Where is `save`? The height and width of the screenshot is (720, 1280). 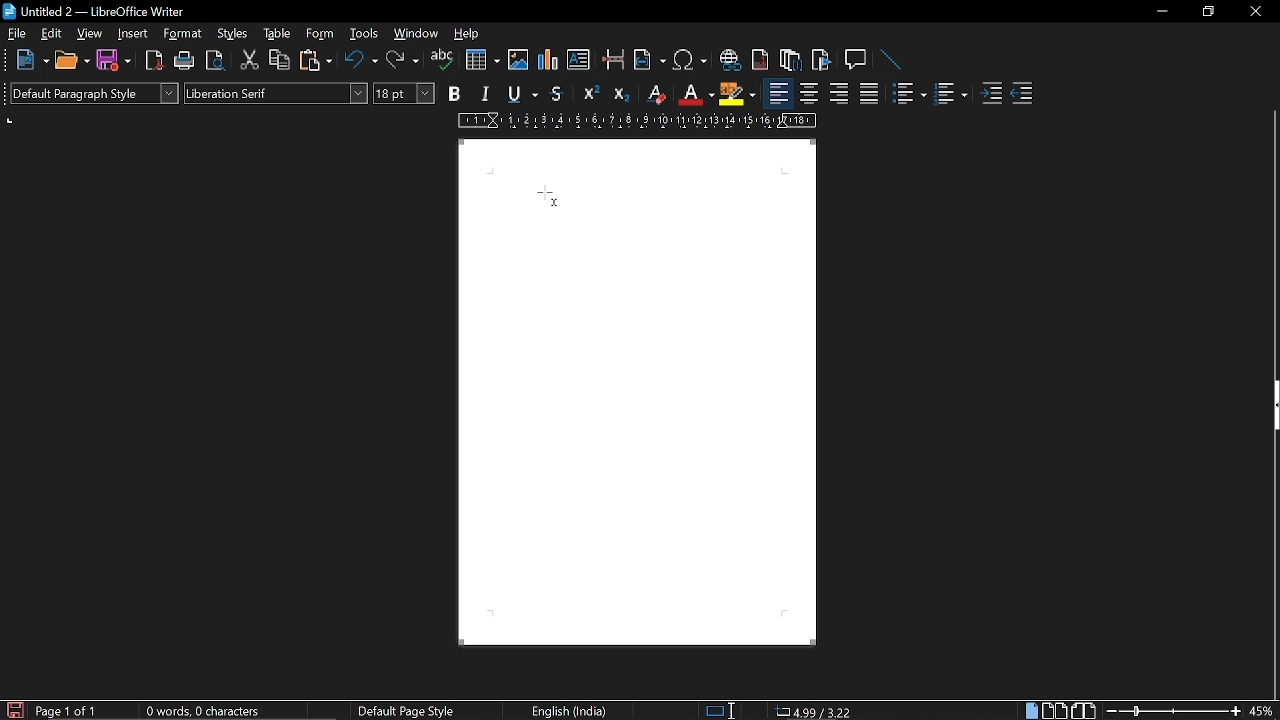 save is located at coordinates (112, 60).